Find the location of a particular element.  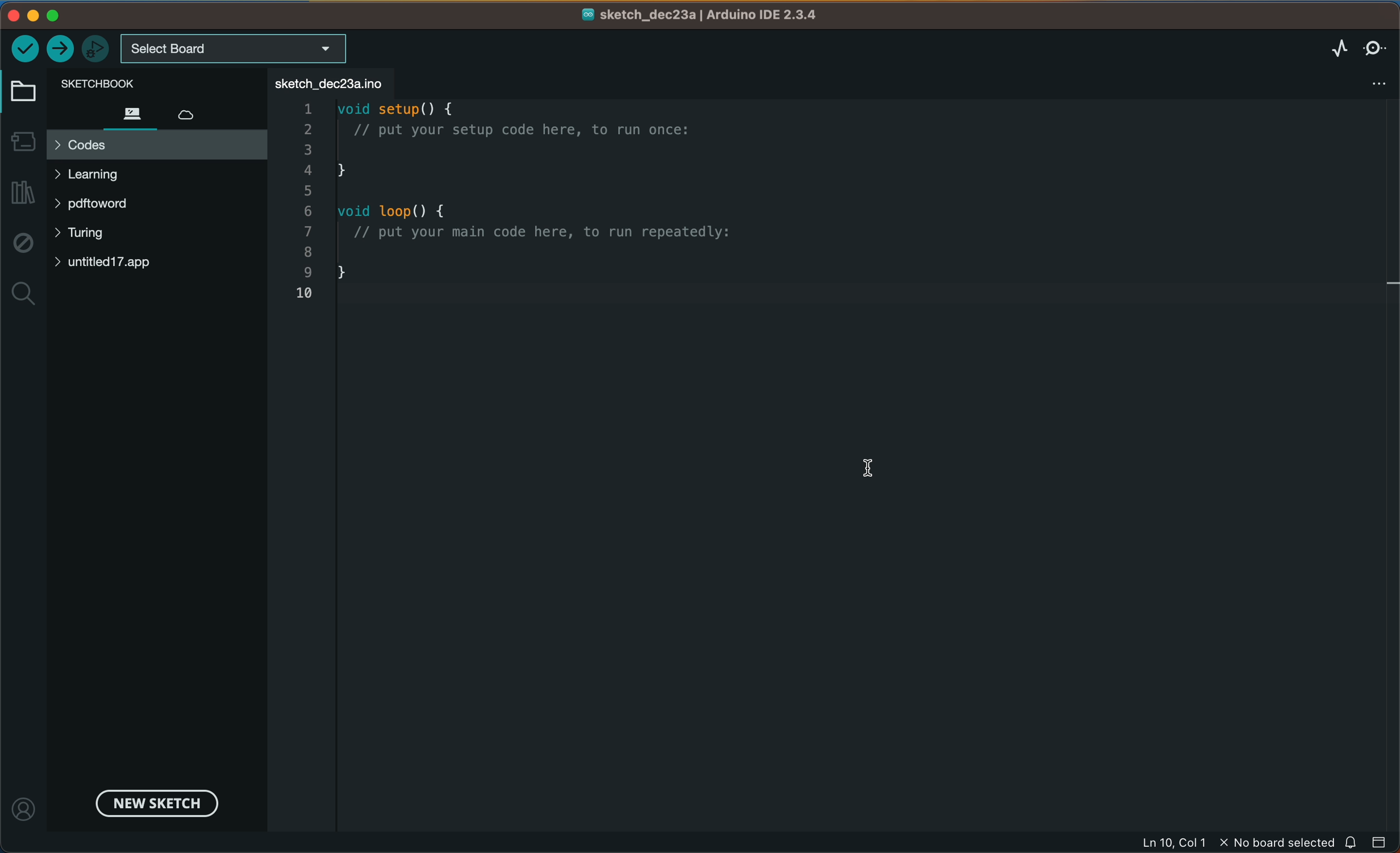

search is located at coordinates (21, 290).